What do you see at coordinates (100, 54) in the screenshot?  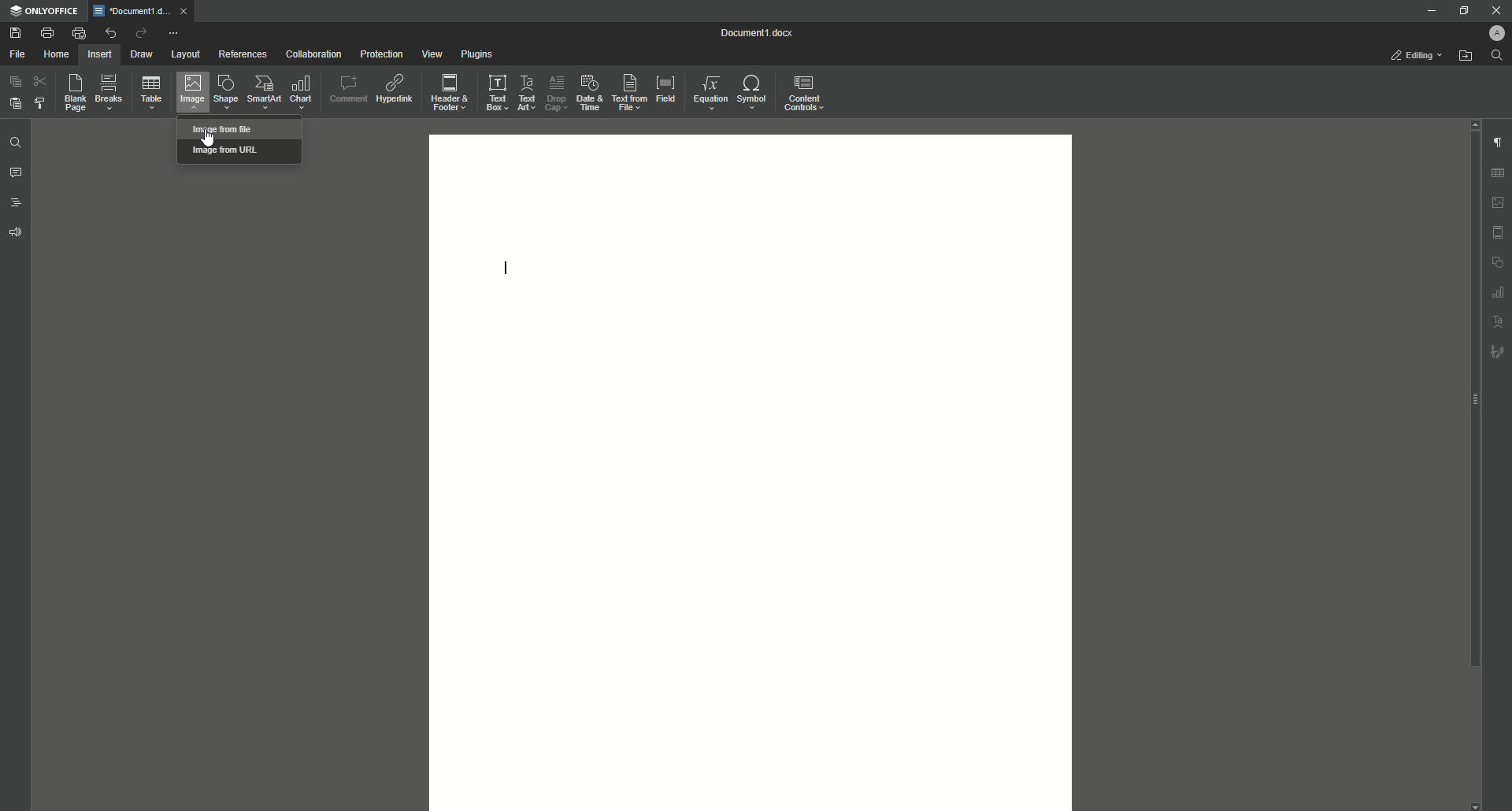 I see `Insert` at bounding box center [100, 54].